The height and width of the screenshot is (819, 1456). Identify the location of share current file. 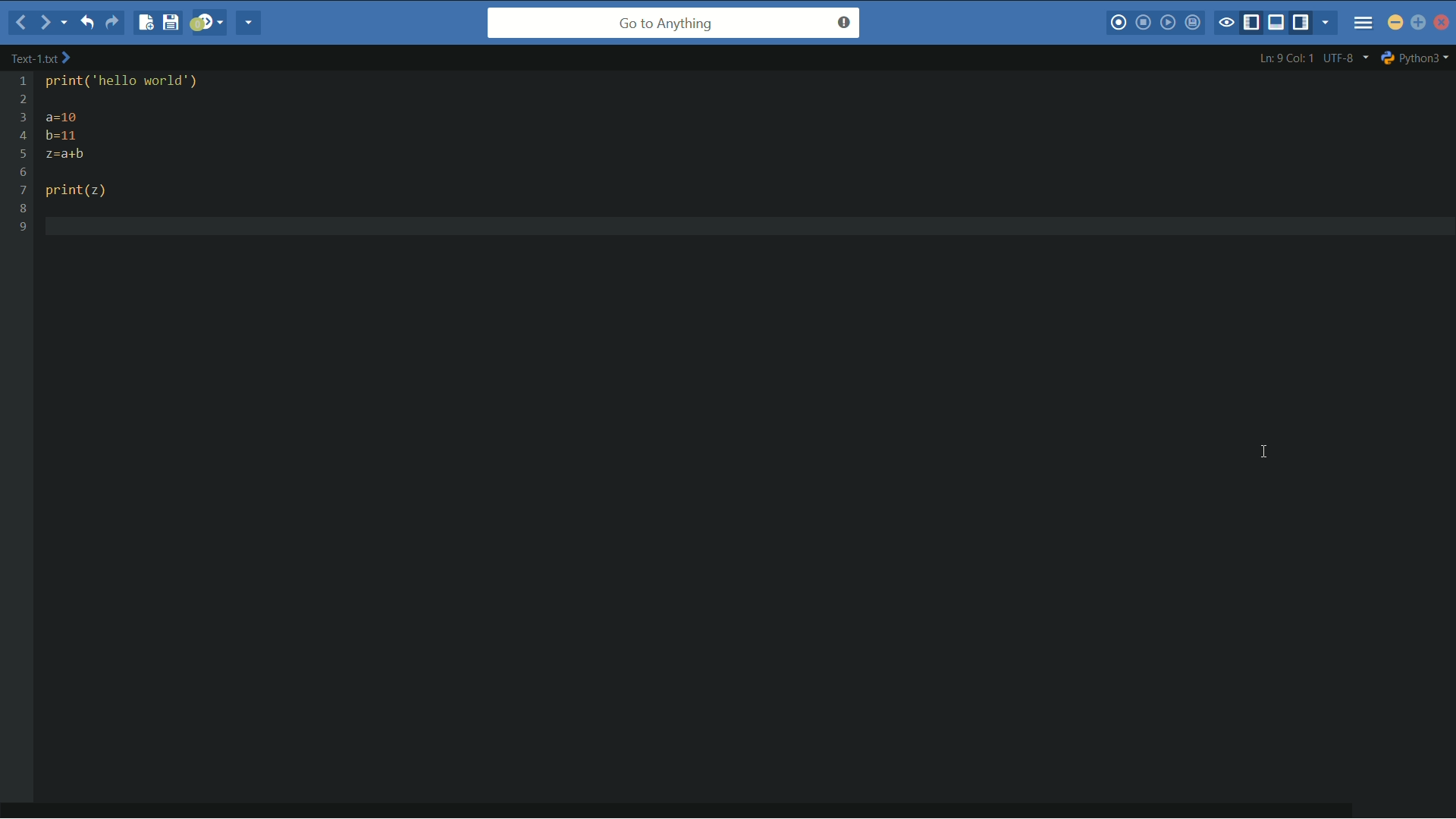
(251, 24).